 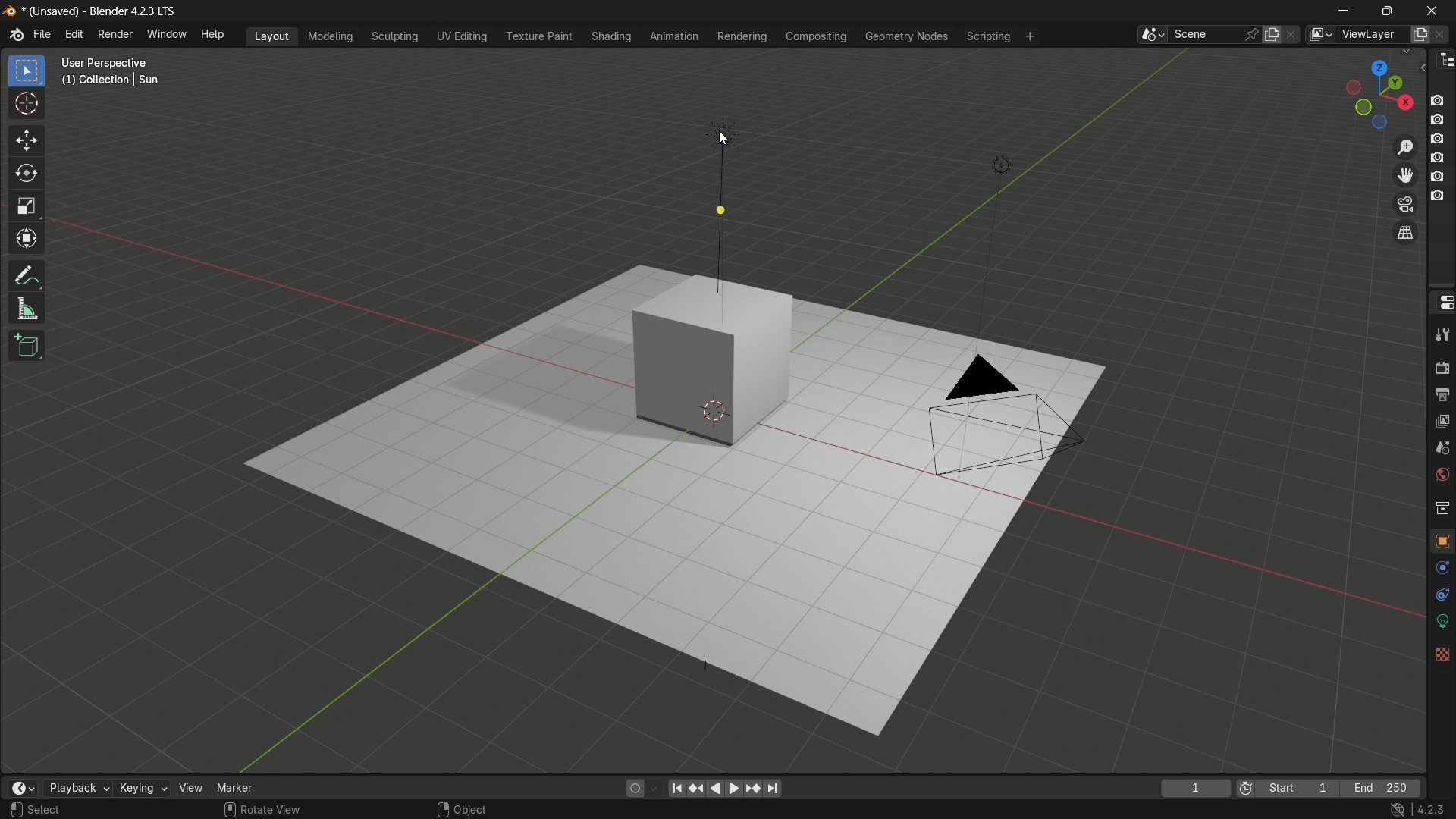 I want to click on Select, so click(x=45, y=810).